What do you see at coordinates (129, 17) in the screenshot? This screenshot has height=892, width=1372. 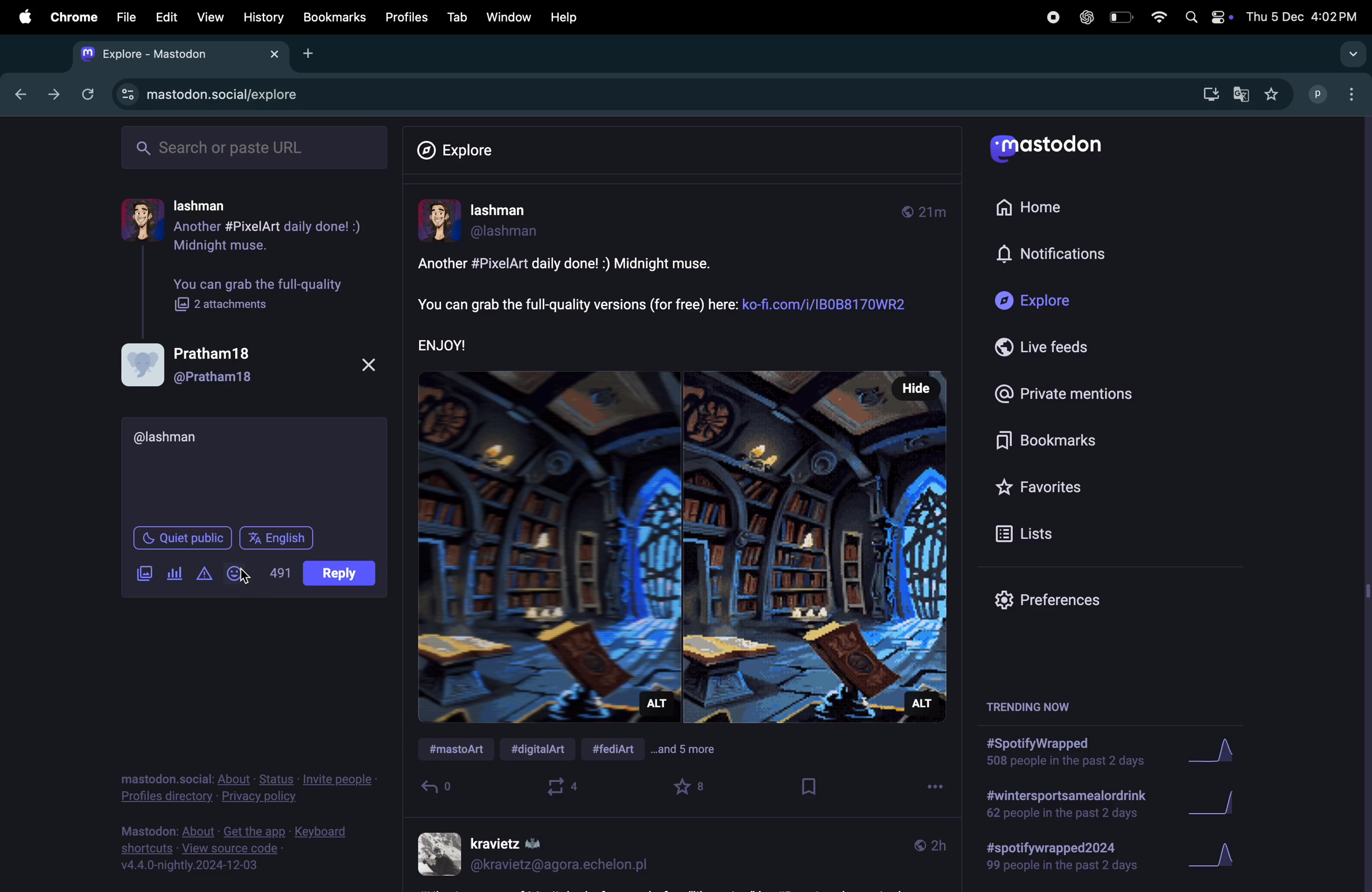 I see `file` at bounding box center [129, 17].